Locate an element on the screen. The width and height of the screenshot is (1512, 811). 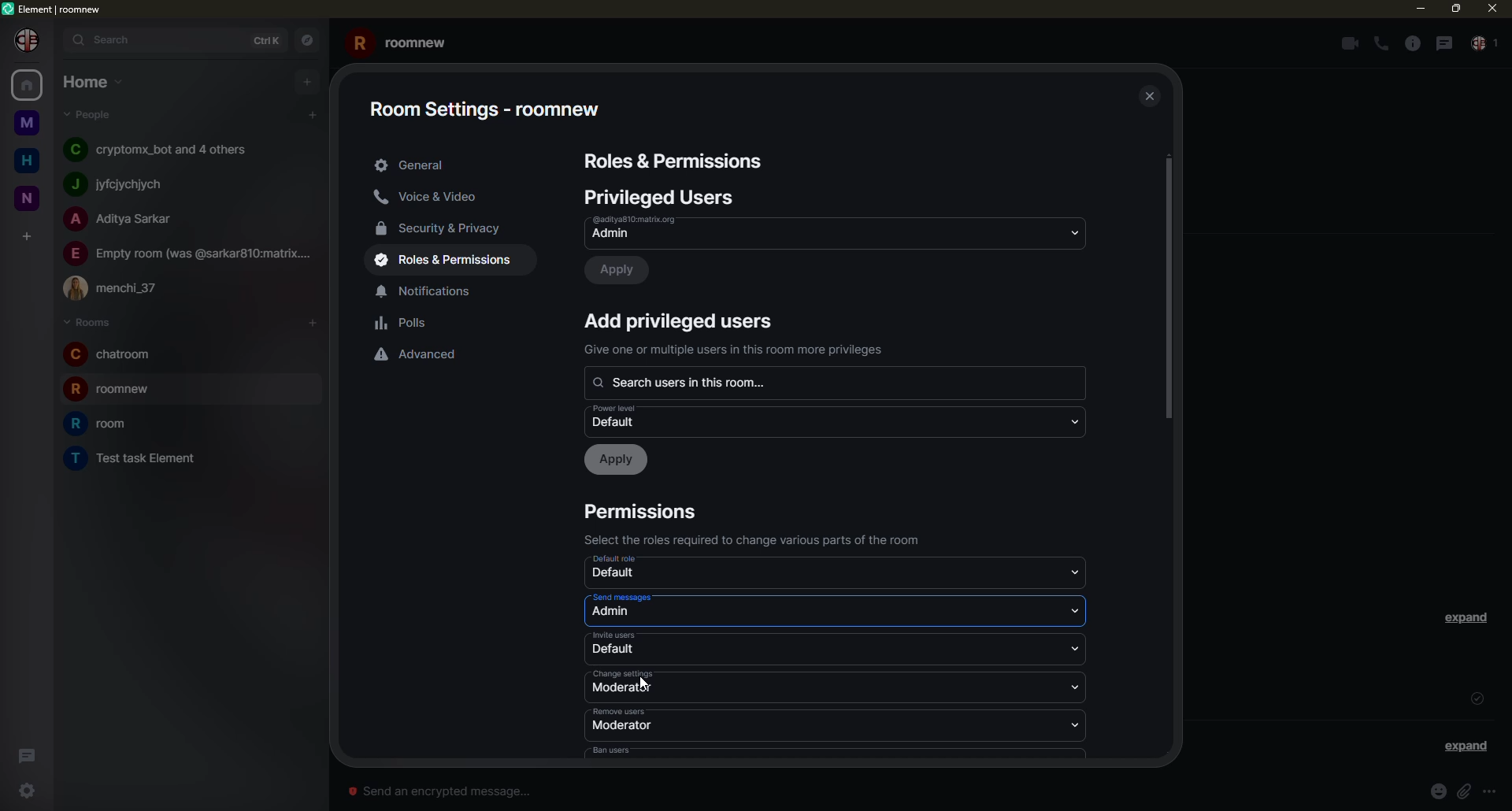
max is located at coordinates (1454, 9).